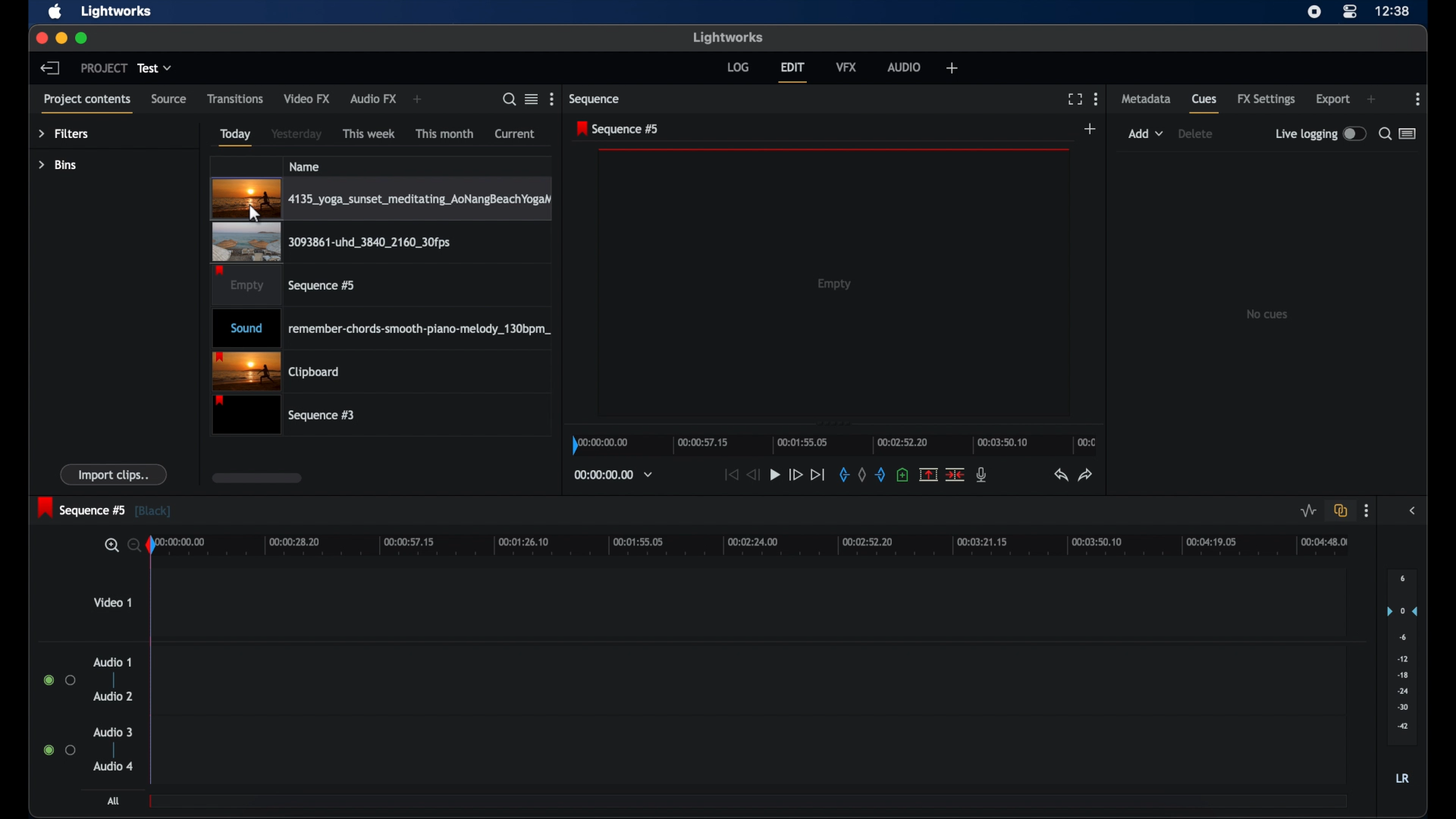 This screenshot has width=1456, height=819. I want to click on video clip, so click(282, 286).